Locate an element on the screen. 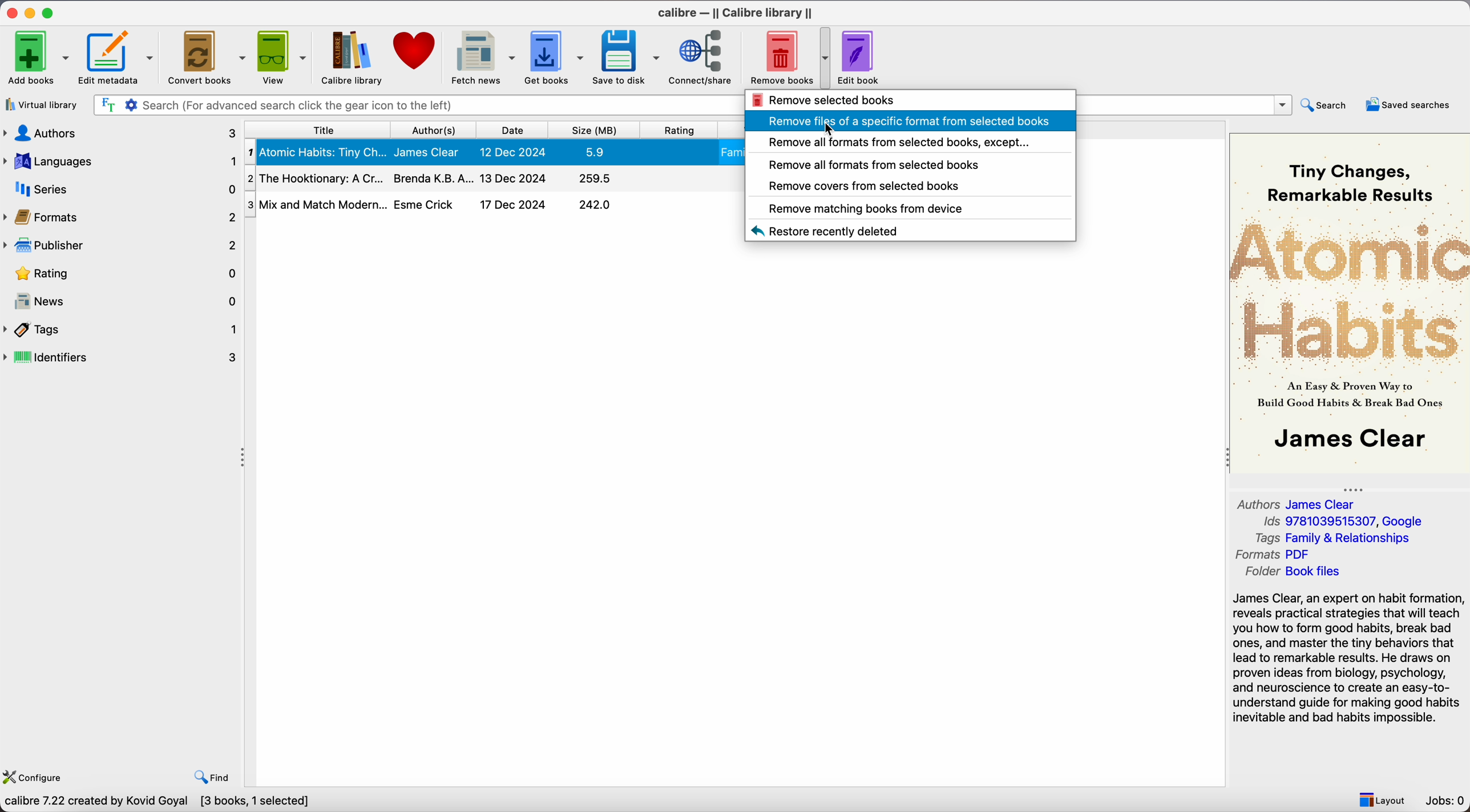 The image size is (1470, 812). 17 Dec 2024 is located at coordinates (515, 205).